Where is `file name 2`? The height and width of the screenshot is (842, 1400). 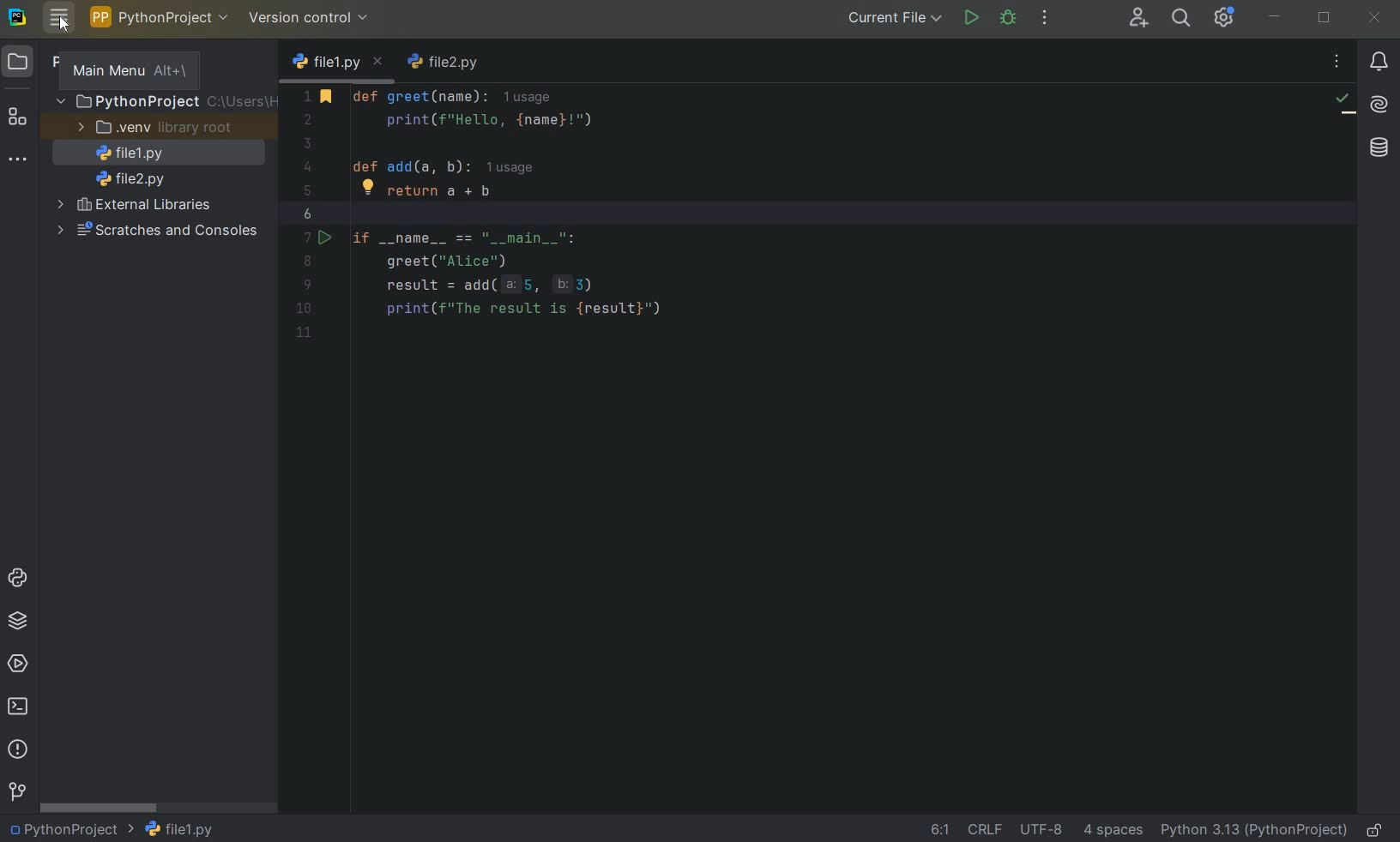 file name 2 is located at coordinates (446, 64).